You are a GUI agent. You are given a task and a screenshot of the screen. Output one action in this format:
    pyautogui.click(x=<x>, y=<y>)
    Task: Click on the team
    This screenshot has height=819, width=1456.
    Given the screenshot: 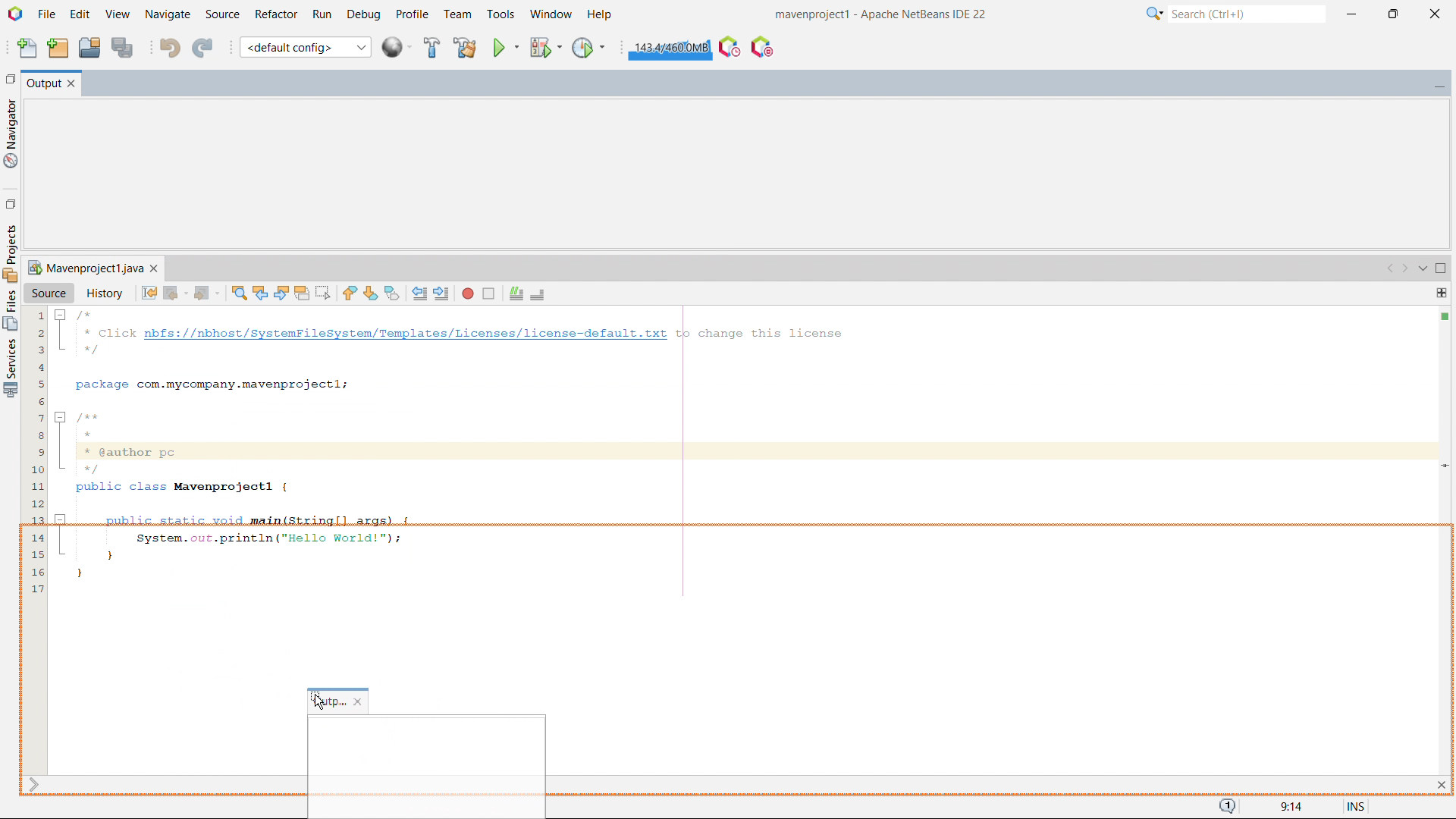 What is the action you would take?
    pyautogui.click(x=459, y=14)
    